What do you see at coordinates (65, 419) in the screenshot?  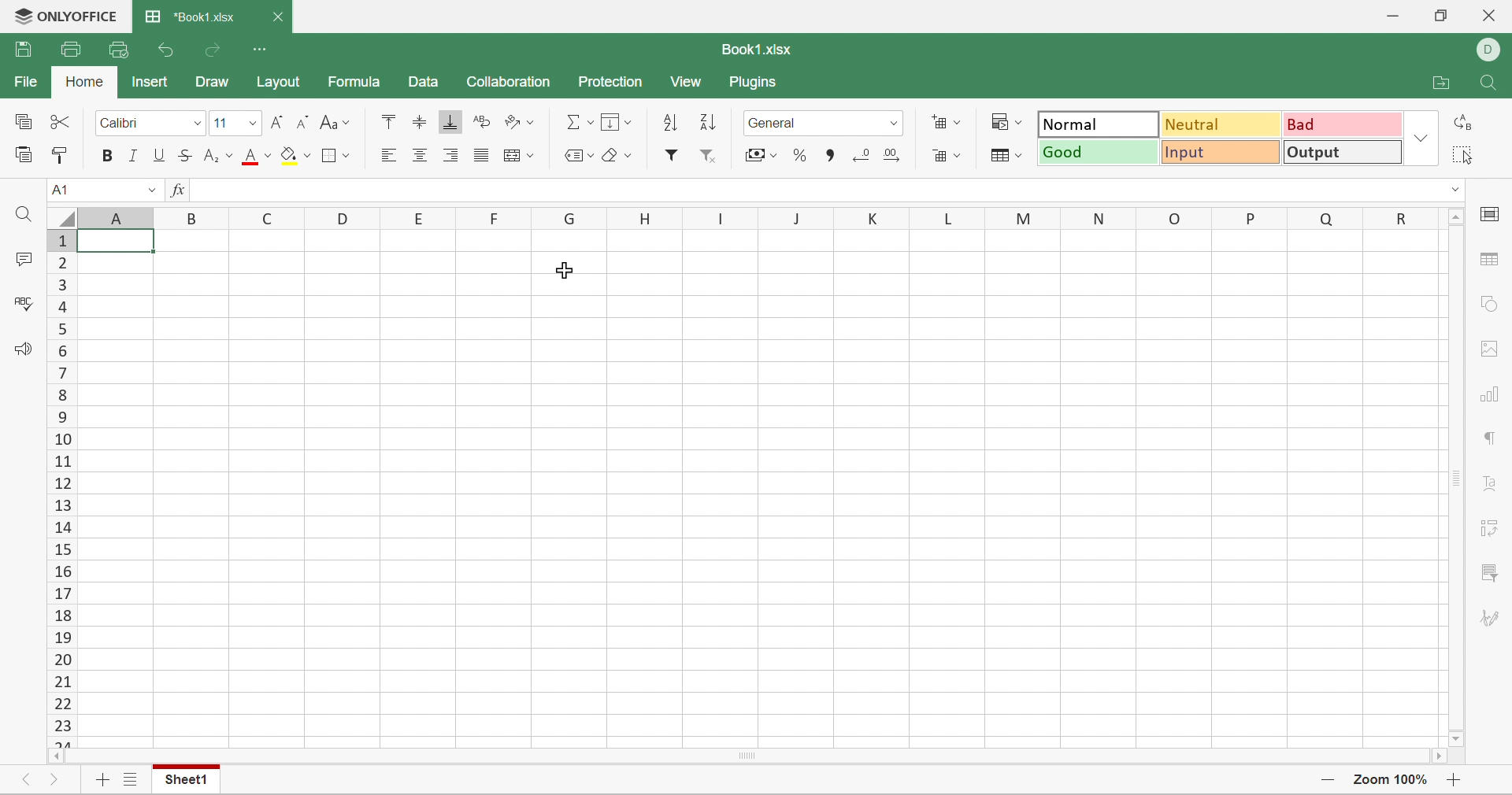 I see `9` at bounding box center [65, 419].